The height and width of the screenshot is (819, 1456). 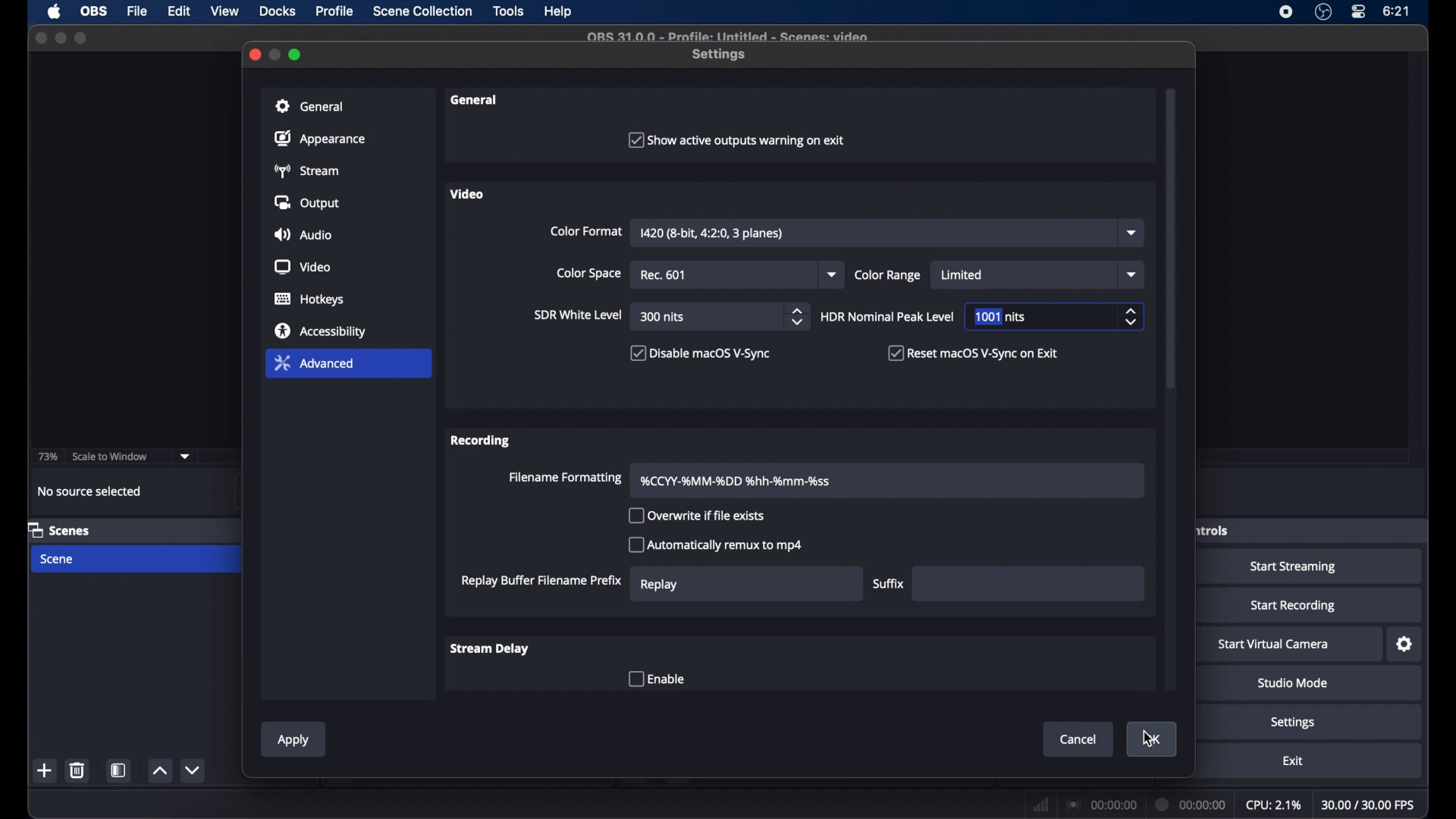 I want to click on maximize, so click(x=296, y=55).